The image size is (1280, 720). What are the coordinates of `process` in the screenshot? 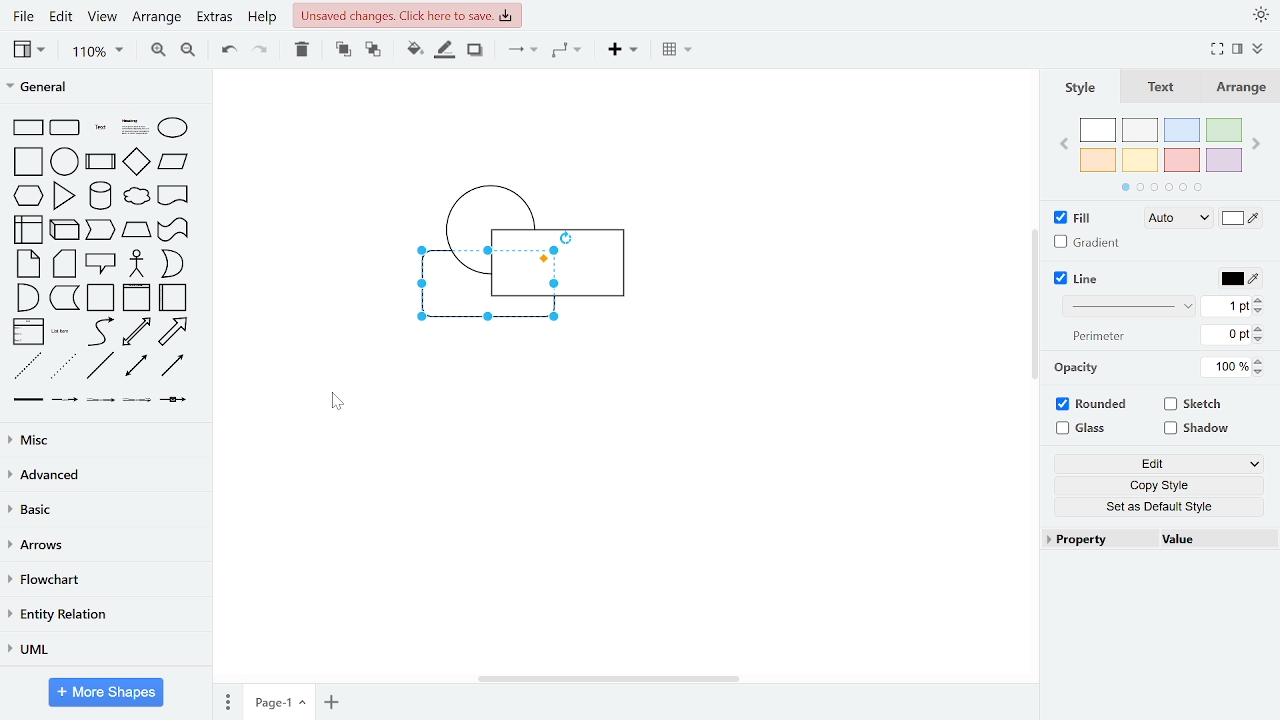 It's located at (100, 163).